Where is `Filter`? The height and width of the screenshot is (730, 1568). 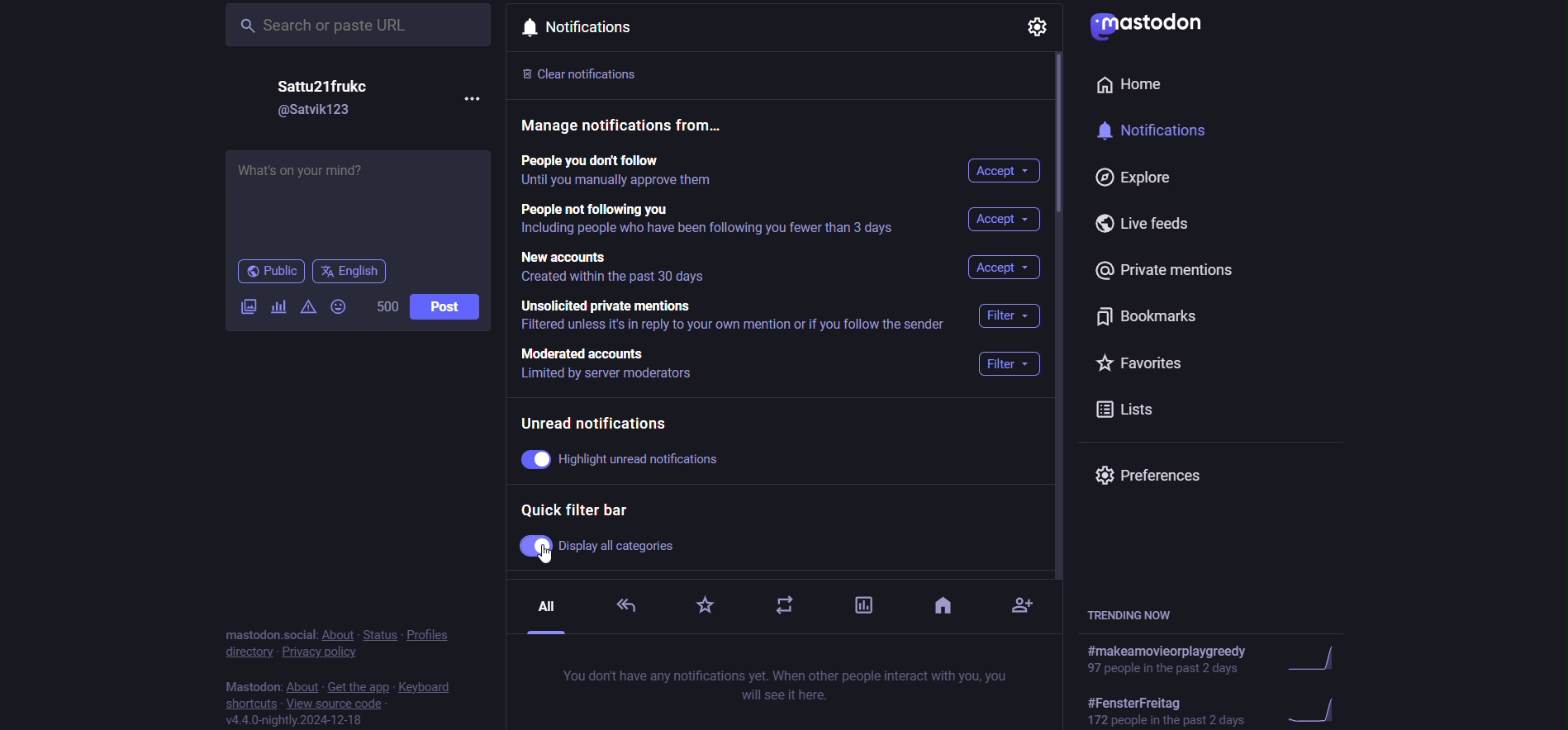 Filter is located at coordinates (1014, 315).